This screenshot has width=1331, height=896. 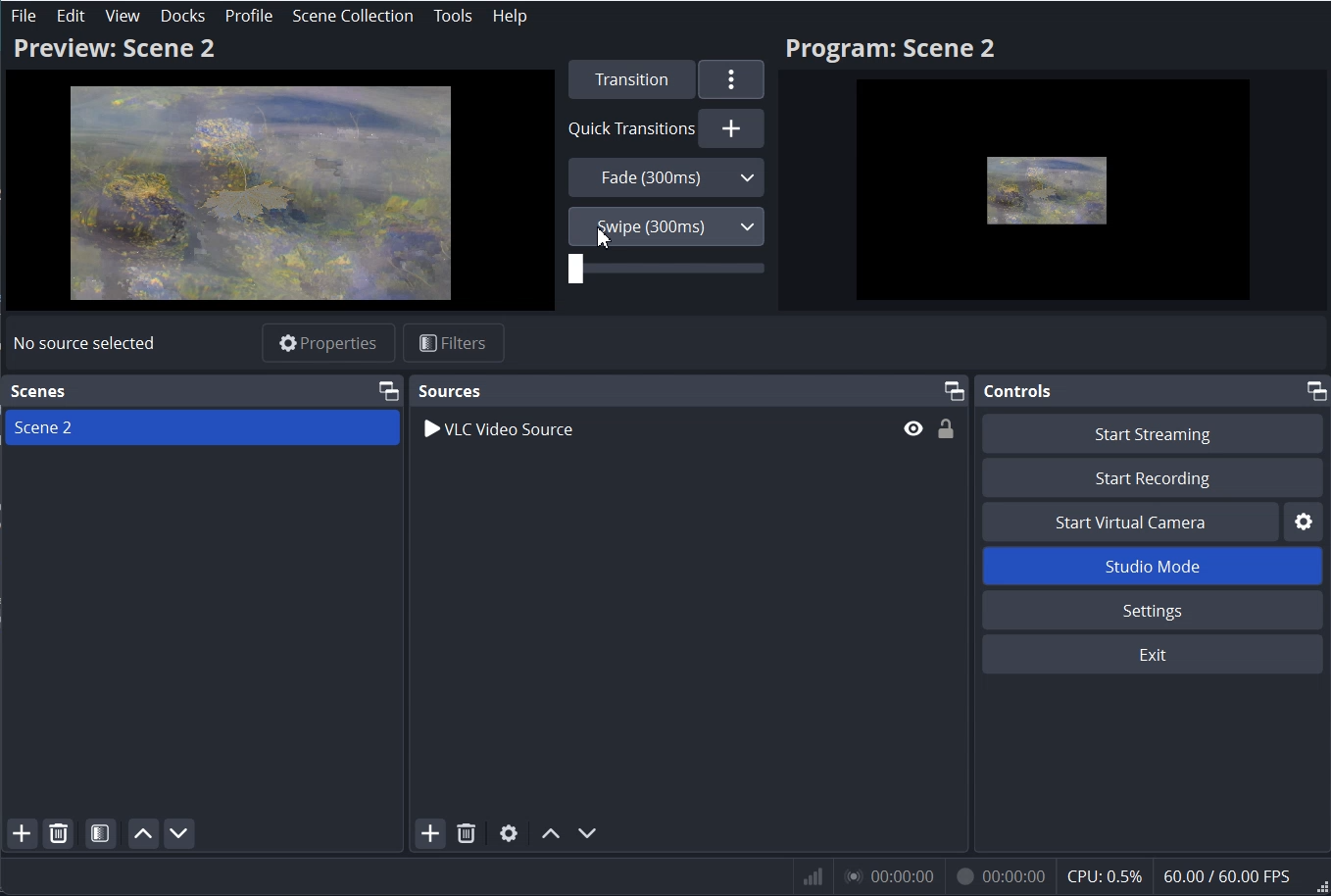 I want to click on Control, so click(x=1023, y=392).